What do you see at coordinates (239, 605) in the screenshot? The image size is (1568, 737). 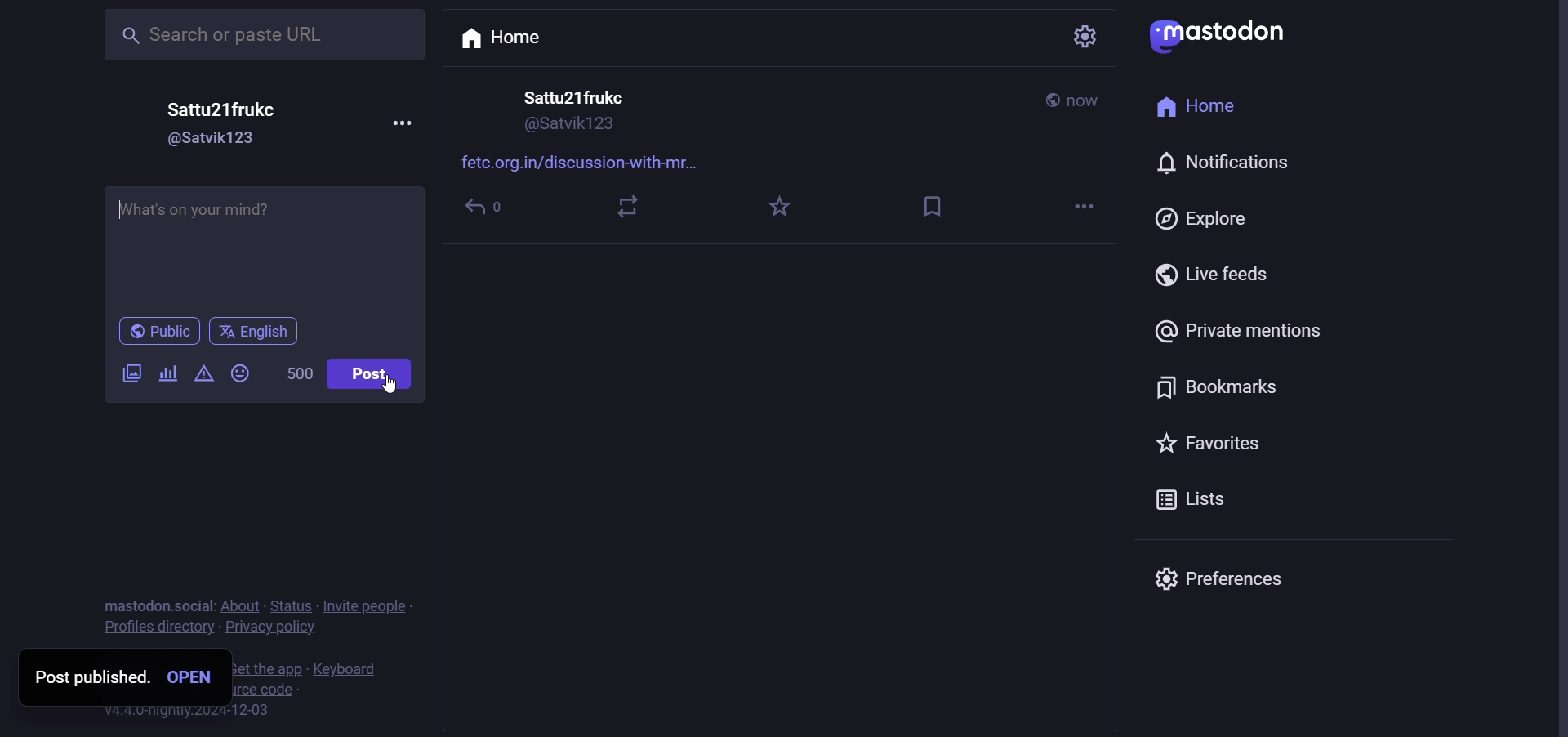 I see `about` at bounding box center [239, 605].